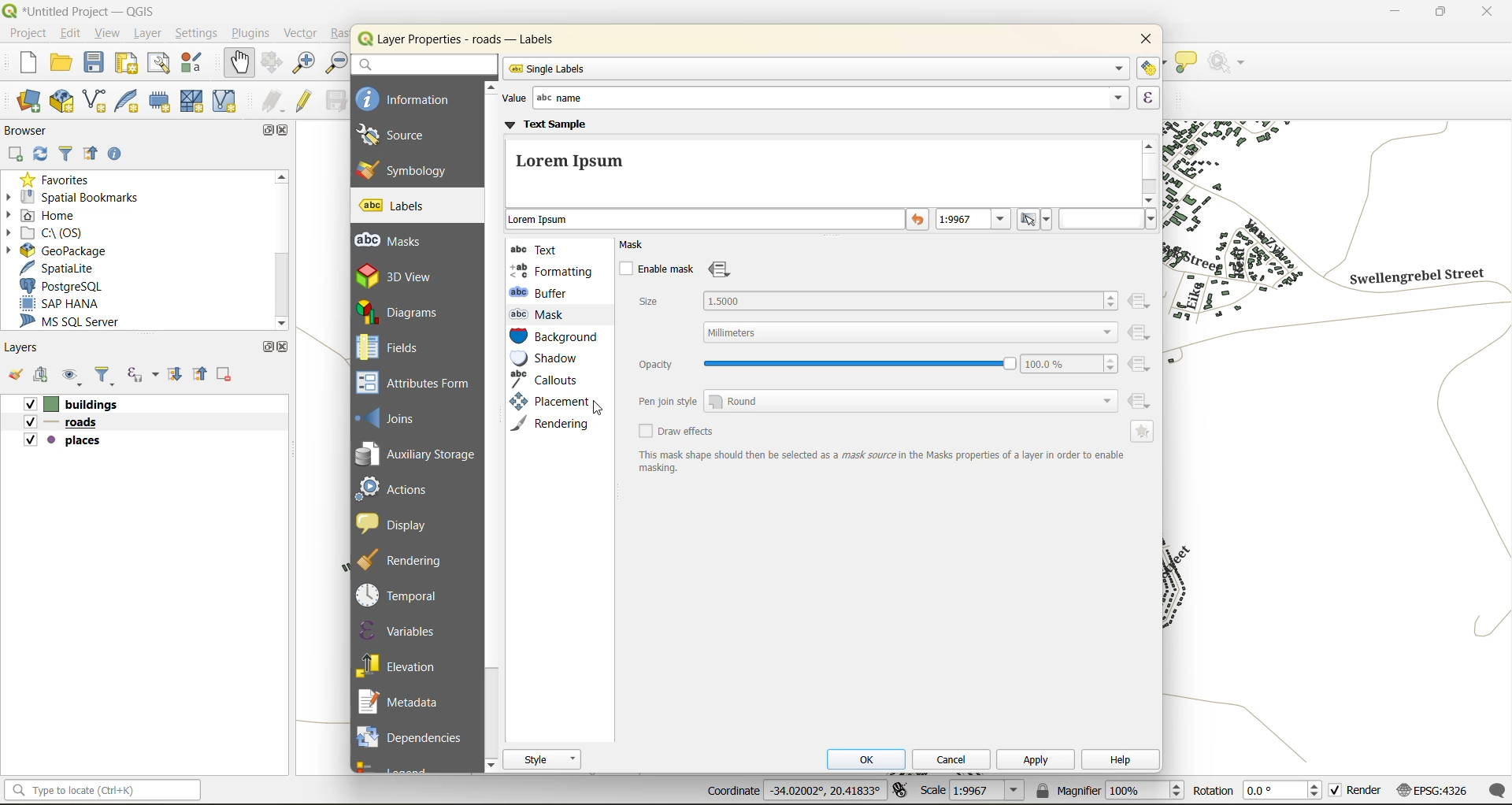 The image size is (1512, 805). Describe the element at coordinates (402, 169) in the screenshot. I see `symbology` at that location.